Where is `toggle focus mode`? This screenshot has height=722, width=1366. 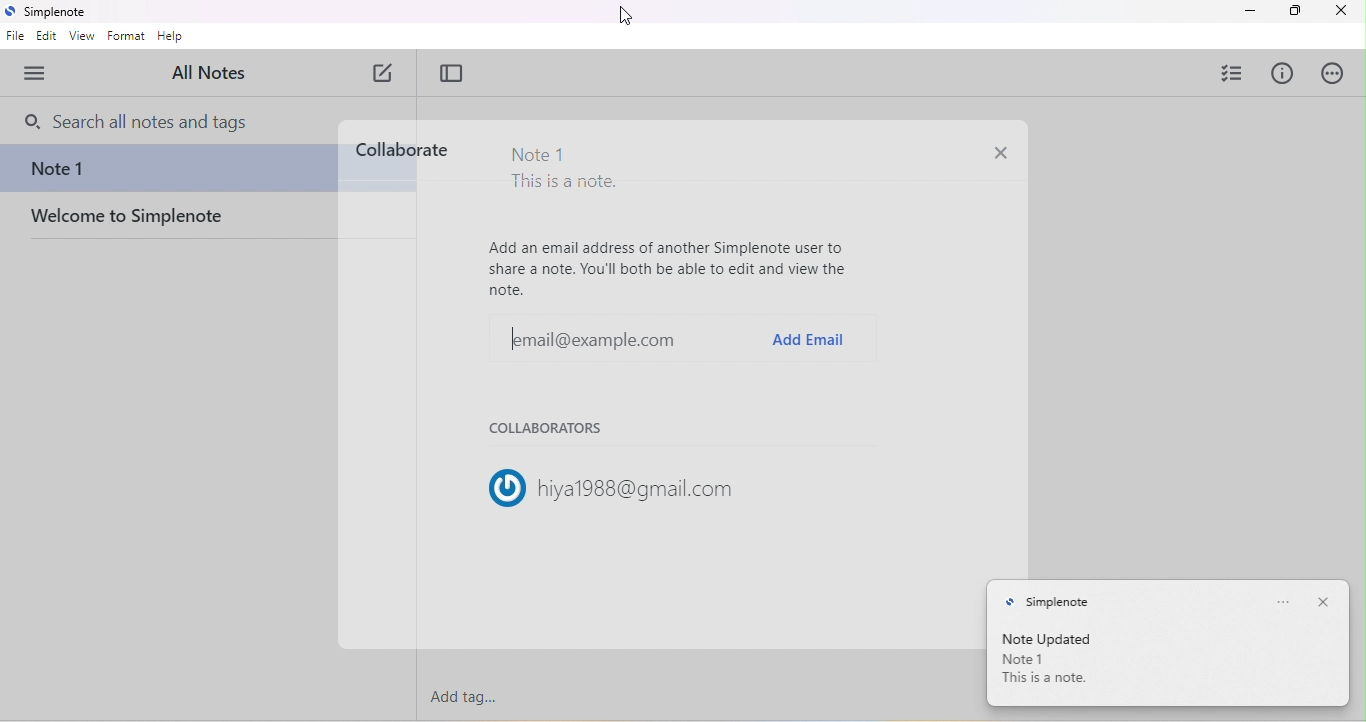
toggle focus mode is located at coordinates (452, 74).